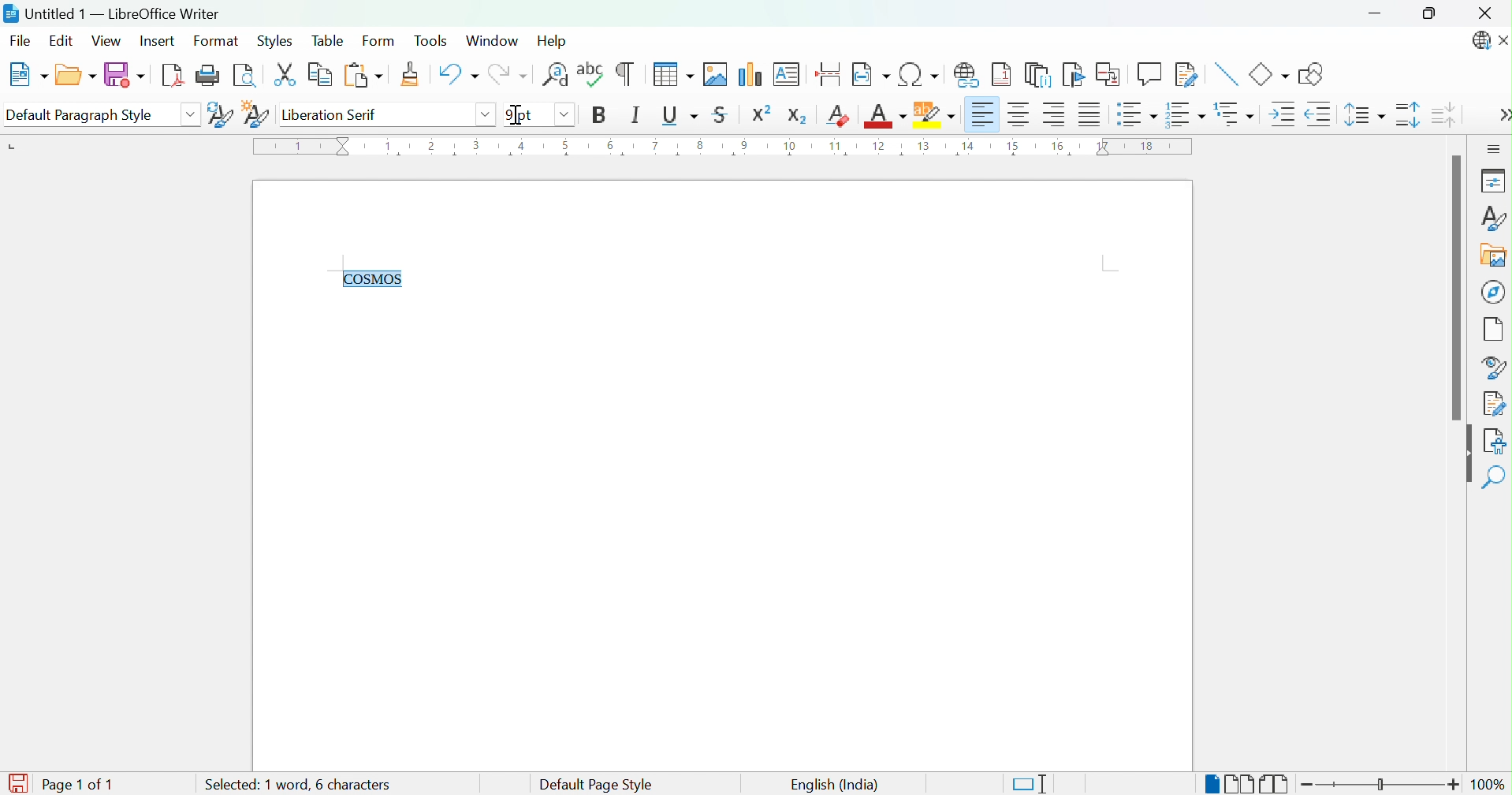 The image size is (1512, 795). What do you see at coordinates (1149, 74) in the screenshot?
I see `Insert Comment` at bounding box center [1149, 74].